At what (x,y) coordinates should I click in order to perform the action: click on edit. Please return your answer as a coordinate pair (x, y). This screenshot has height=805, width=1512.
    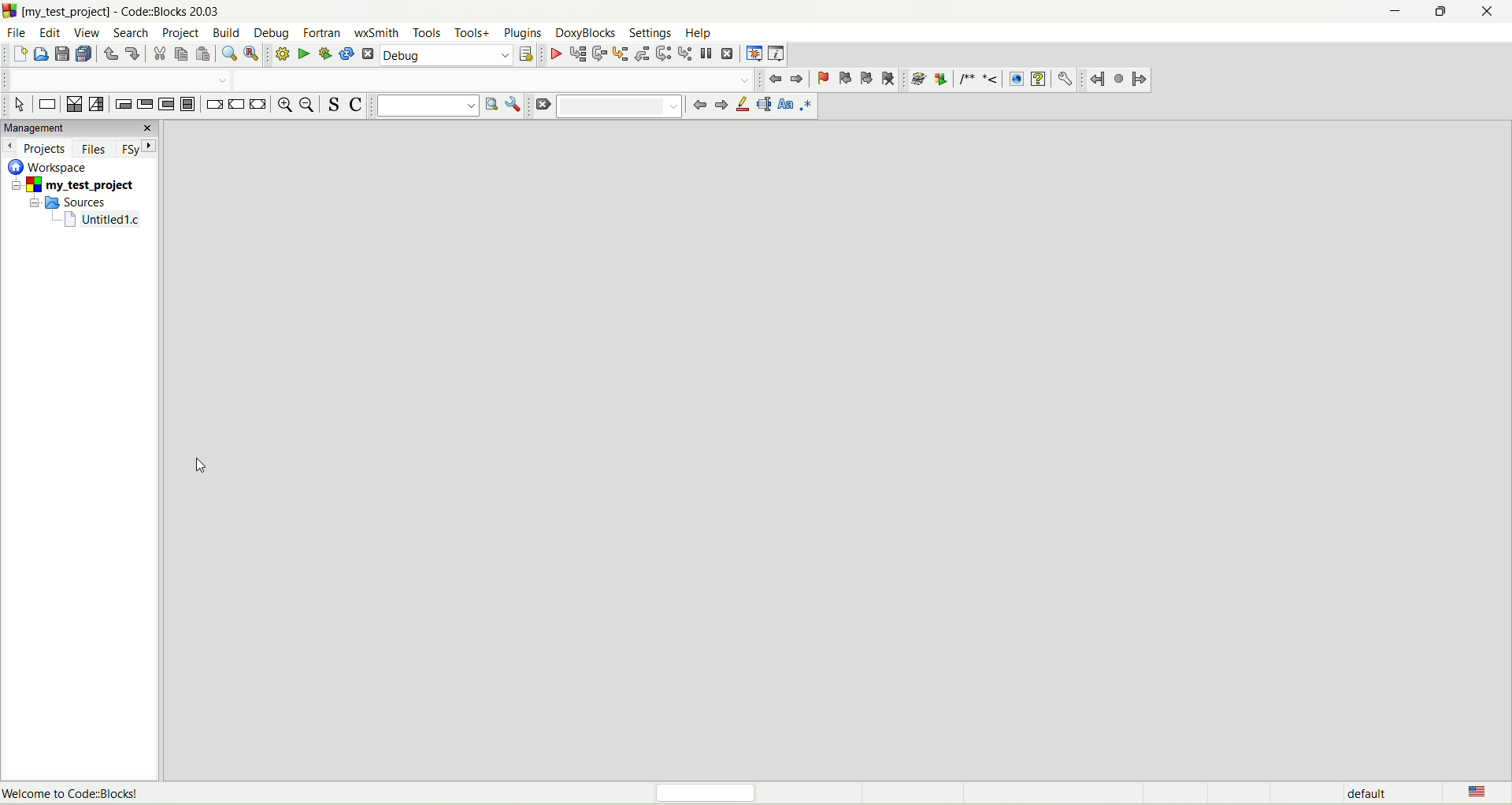
    Looking at the image, I should click on (51, 33).